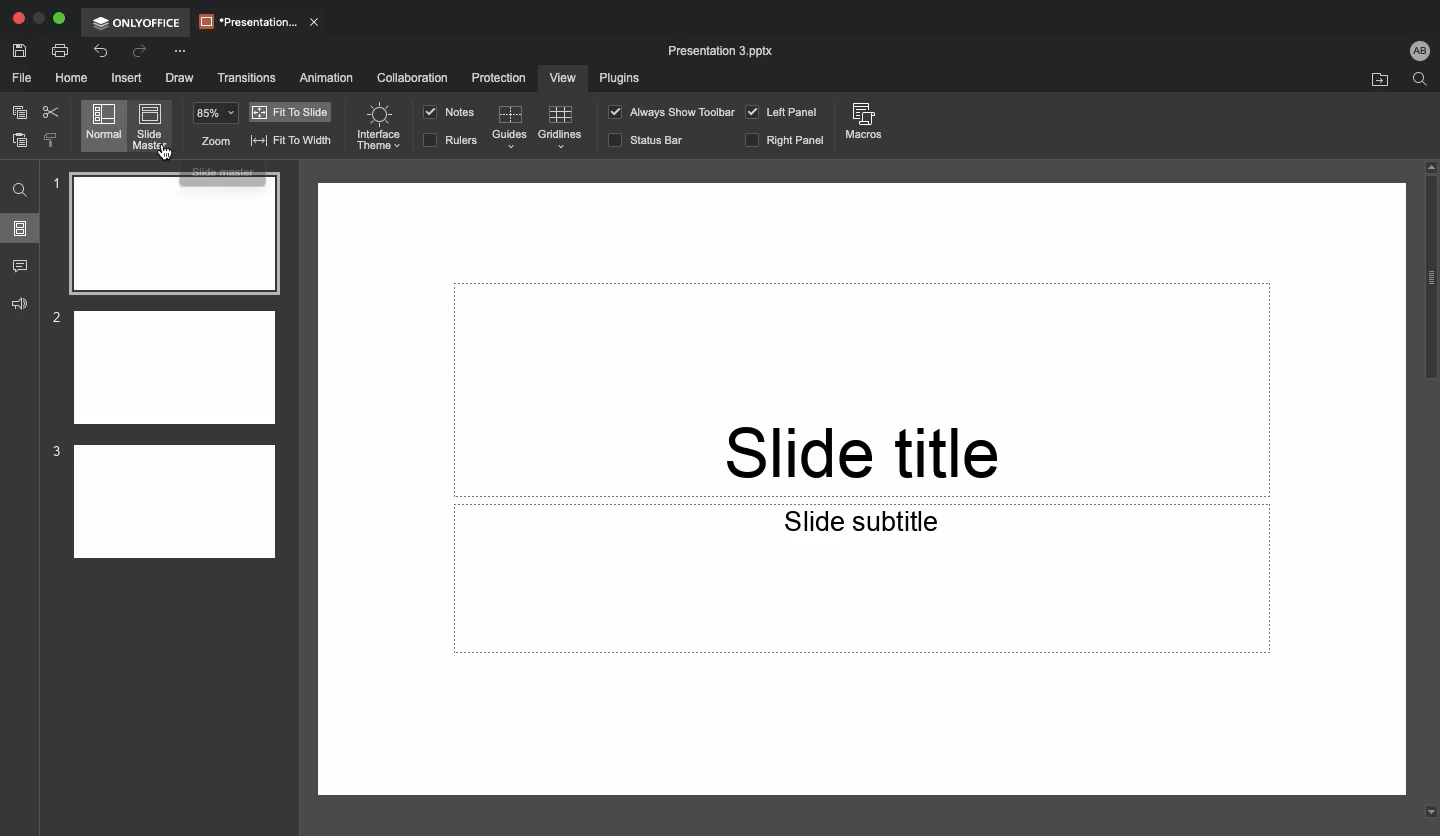  Describe the element at coordinates (170, 232) in the screenshot. I see `Slide 1` at that location.